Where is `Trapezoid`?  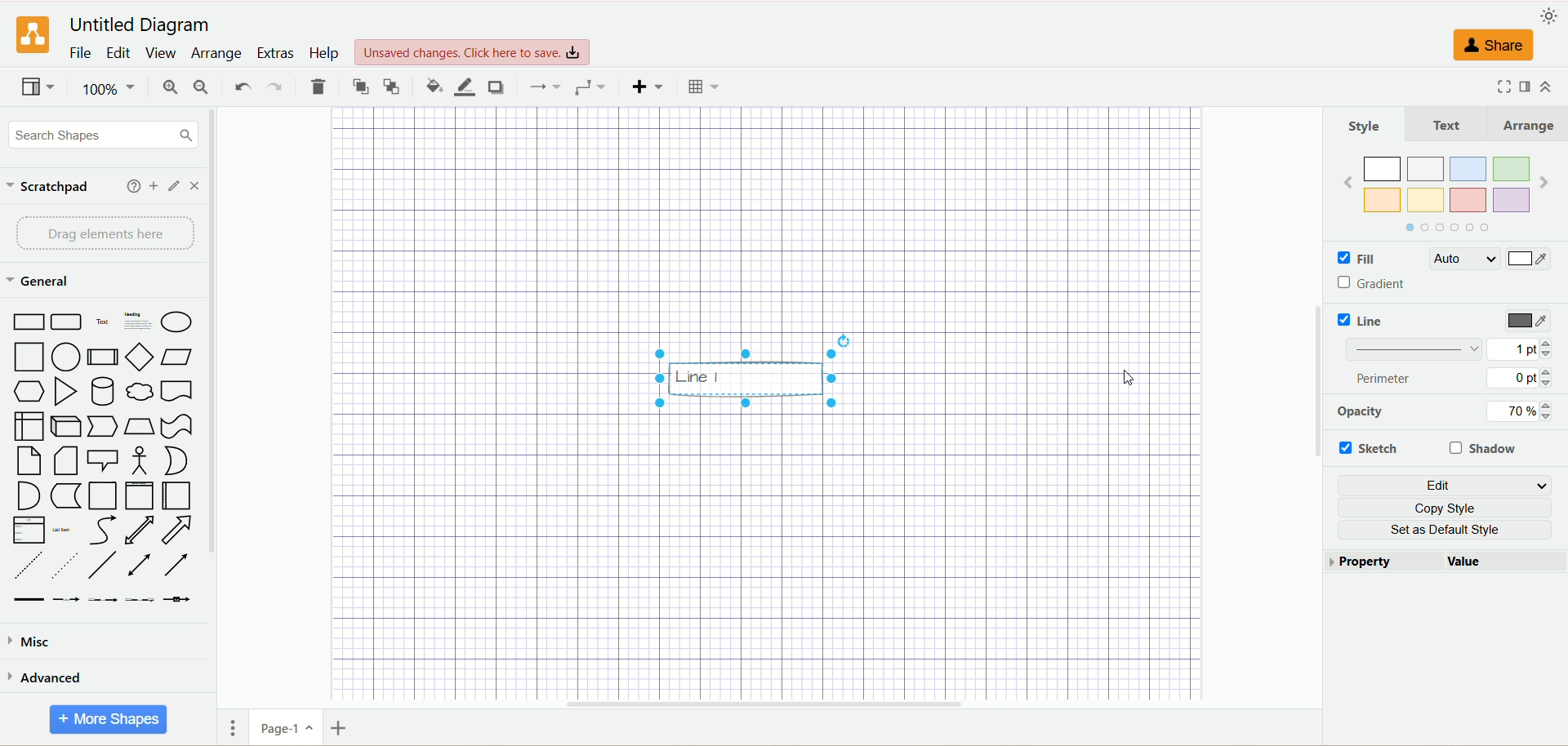
Trapezoid is located at coordinates (140, 428).